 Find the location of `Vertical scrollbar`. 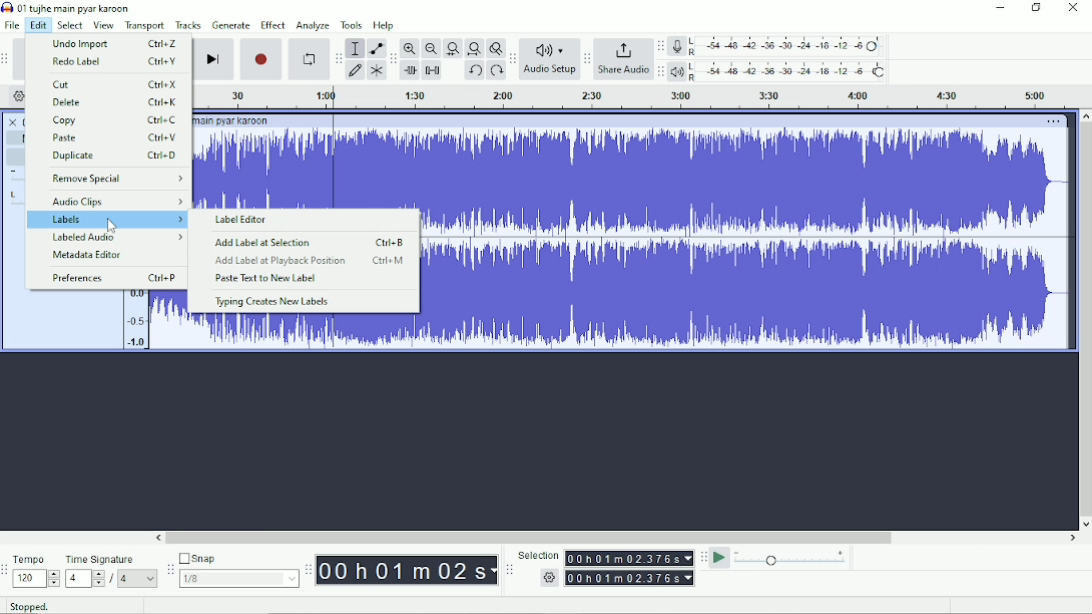

Vertical scrollbar is located at coordinates (1085, 313).